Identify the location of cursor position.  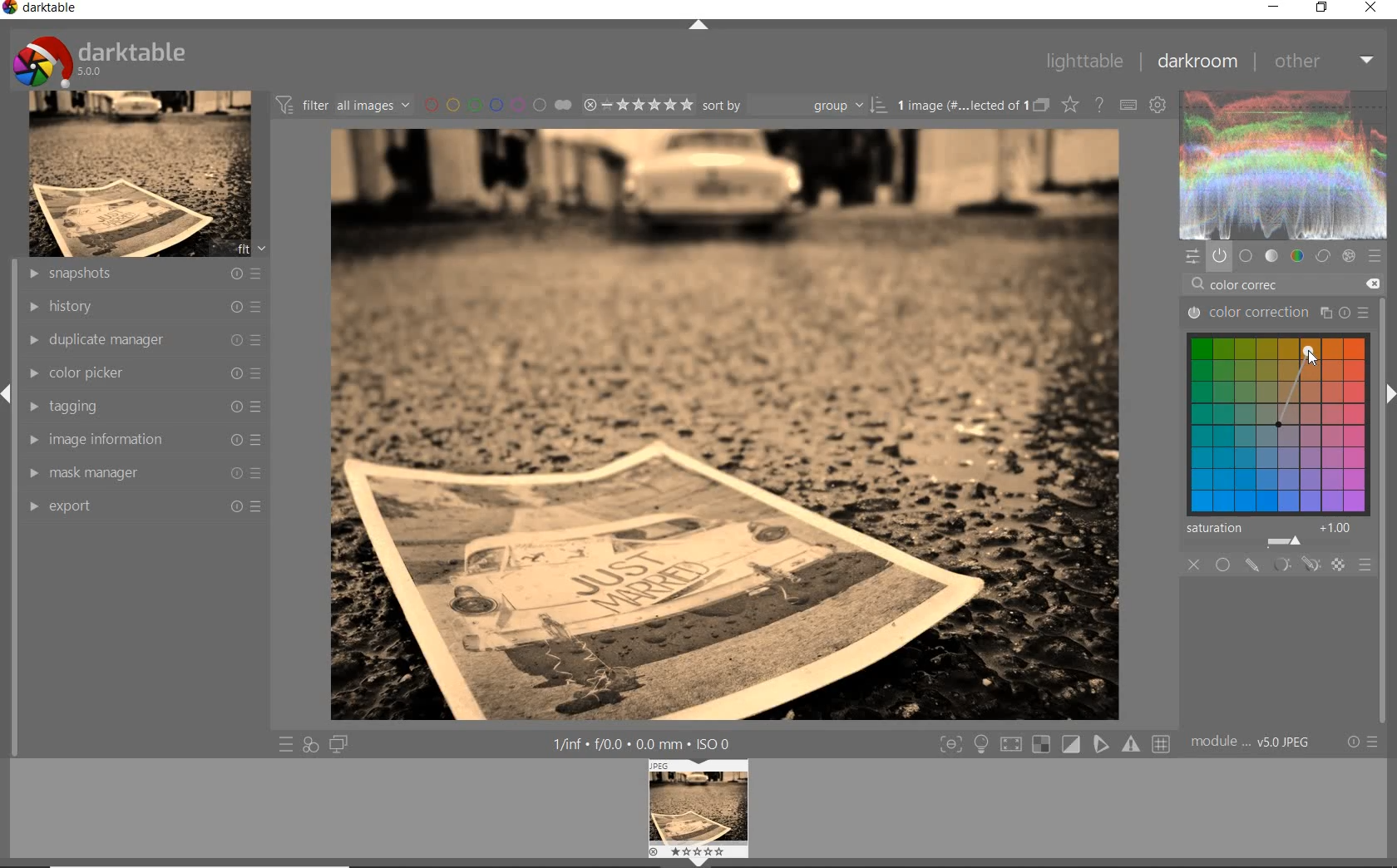
(1311, 356).